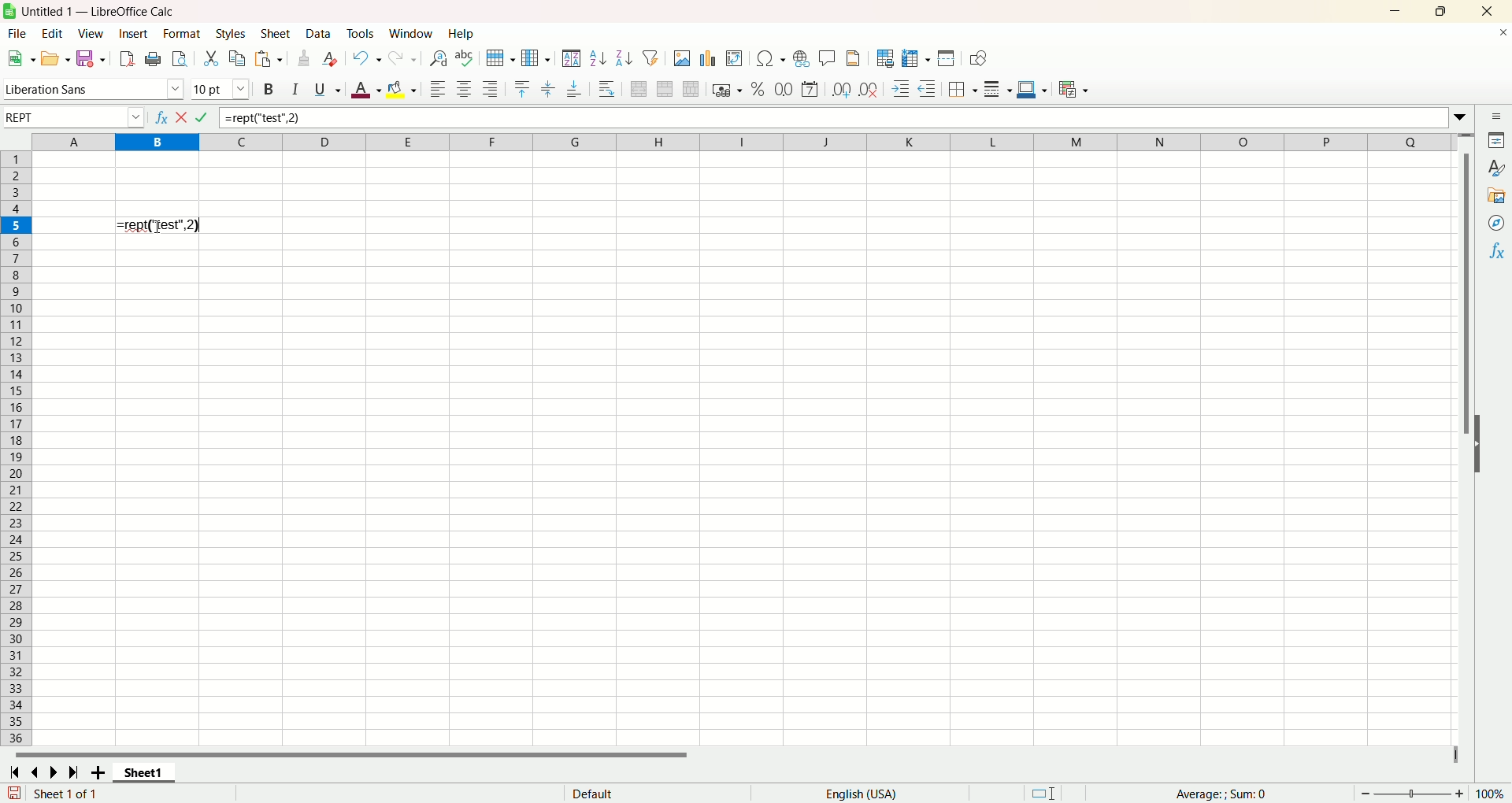 This screenshot has height=803, width=1512. I want to click on print preview, so click(180, 57).